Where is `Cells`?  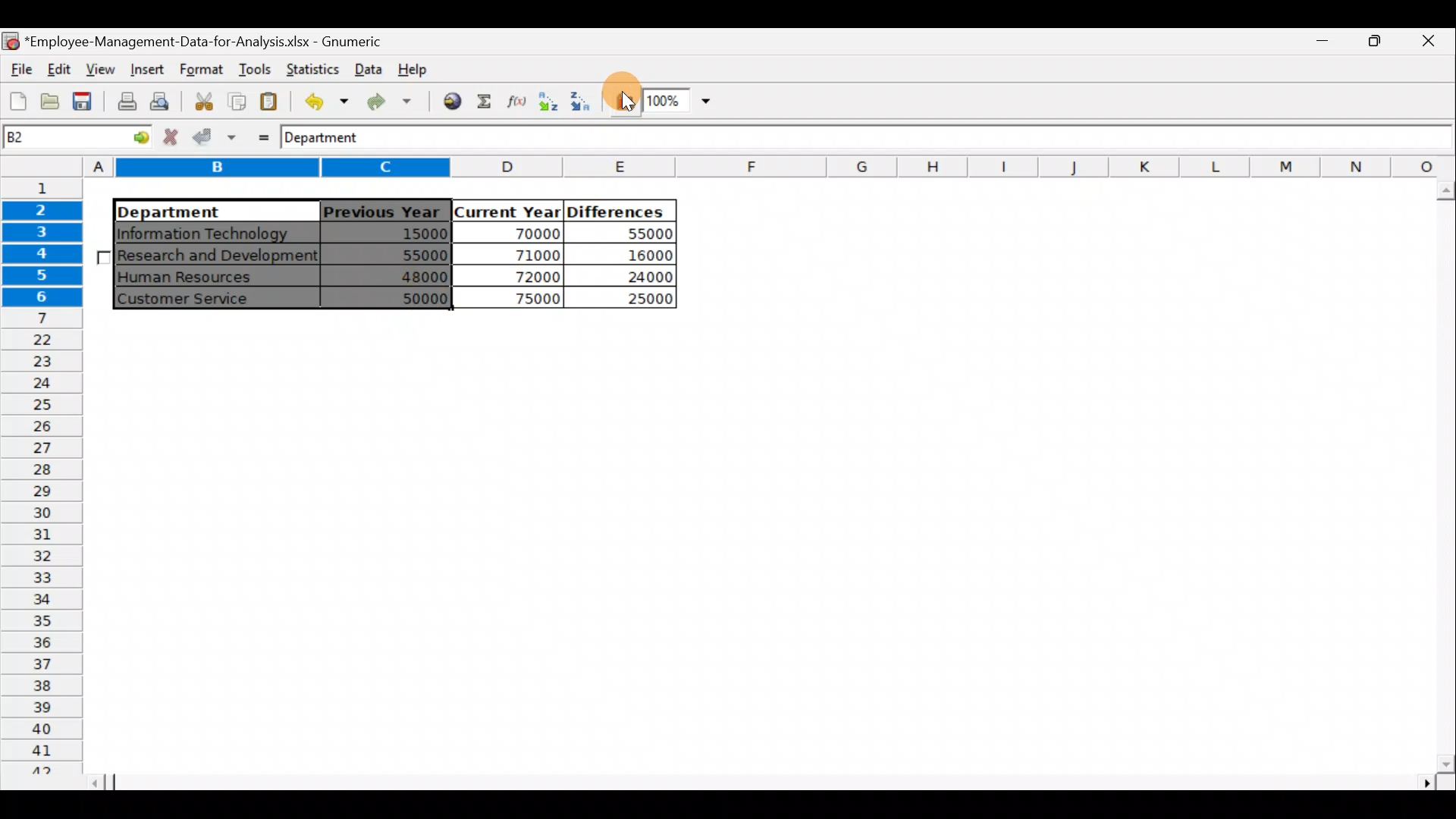
Cells is located at coordinates (757, 547).